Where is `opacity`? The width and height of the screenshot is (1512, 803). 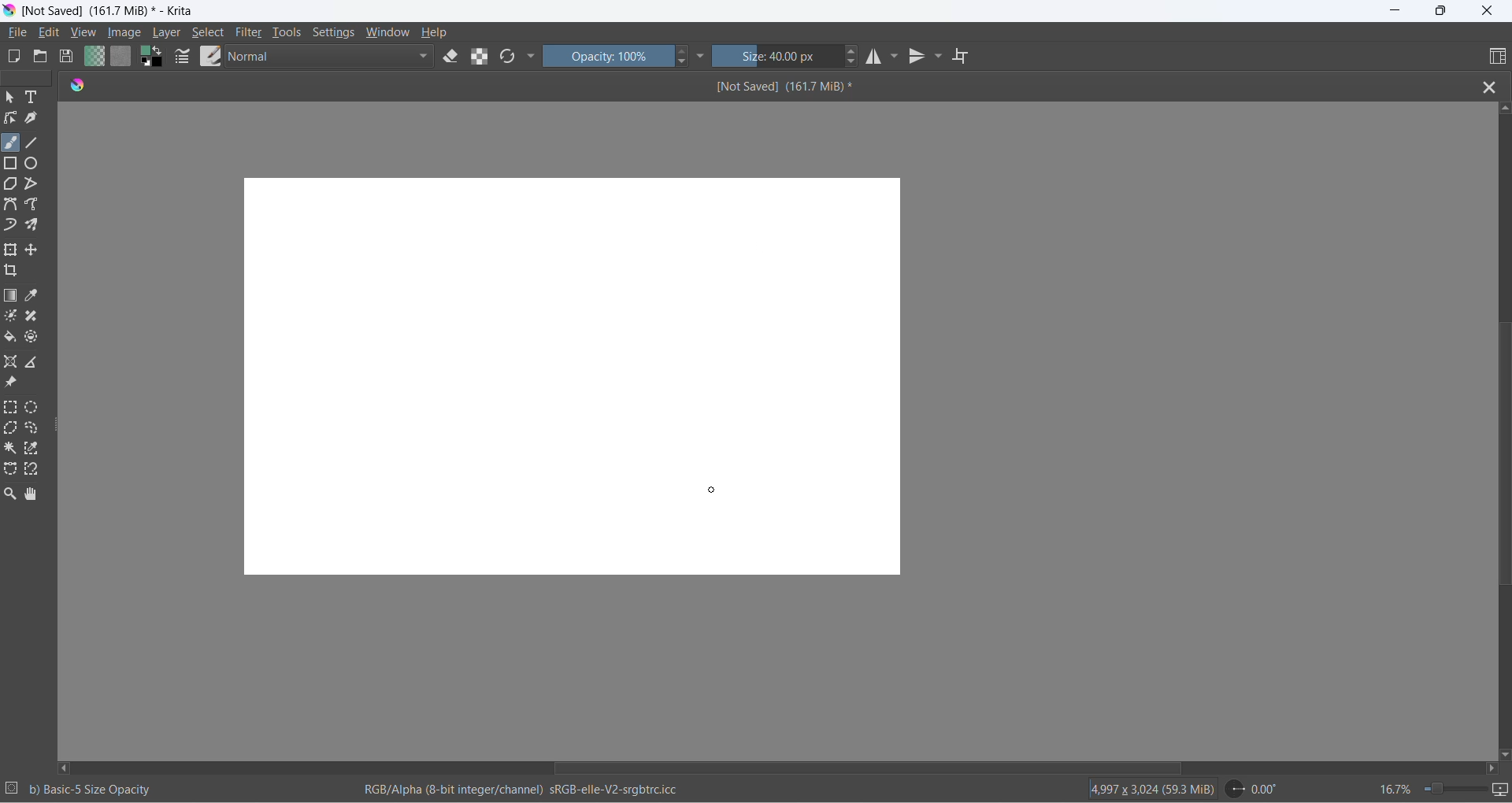 opacity is located at coordinates (609, 56).